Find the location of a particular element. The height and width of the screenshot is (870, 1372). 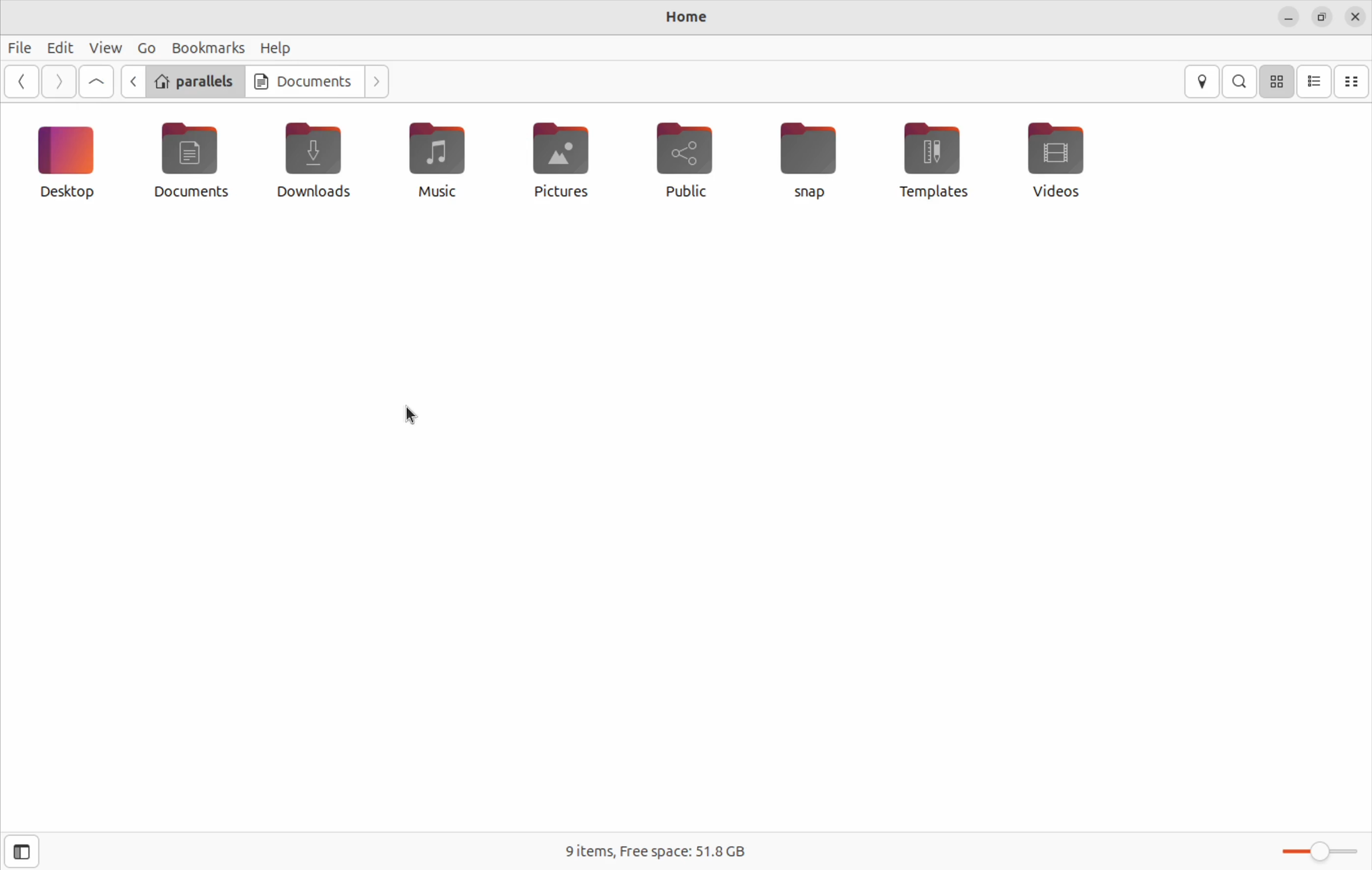

back is located at coordinates (22, 83).